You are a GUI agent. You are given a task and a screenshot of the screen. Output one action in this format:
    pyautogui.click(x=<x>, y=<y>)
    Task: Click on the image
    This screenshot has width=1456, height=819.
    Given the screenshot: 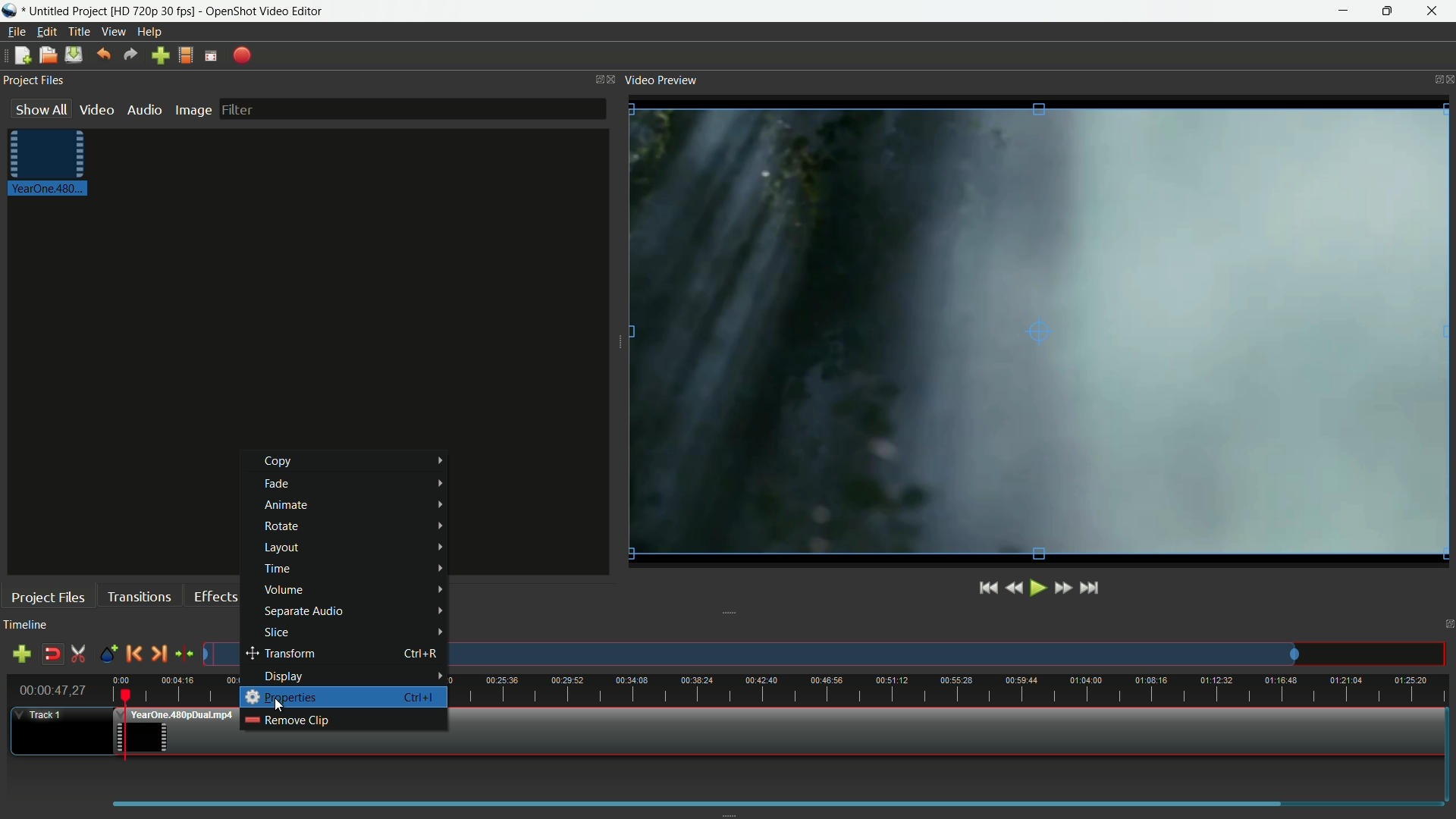 What is the action you would take?
    pyautogui.click(x=192, y=111)
    